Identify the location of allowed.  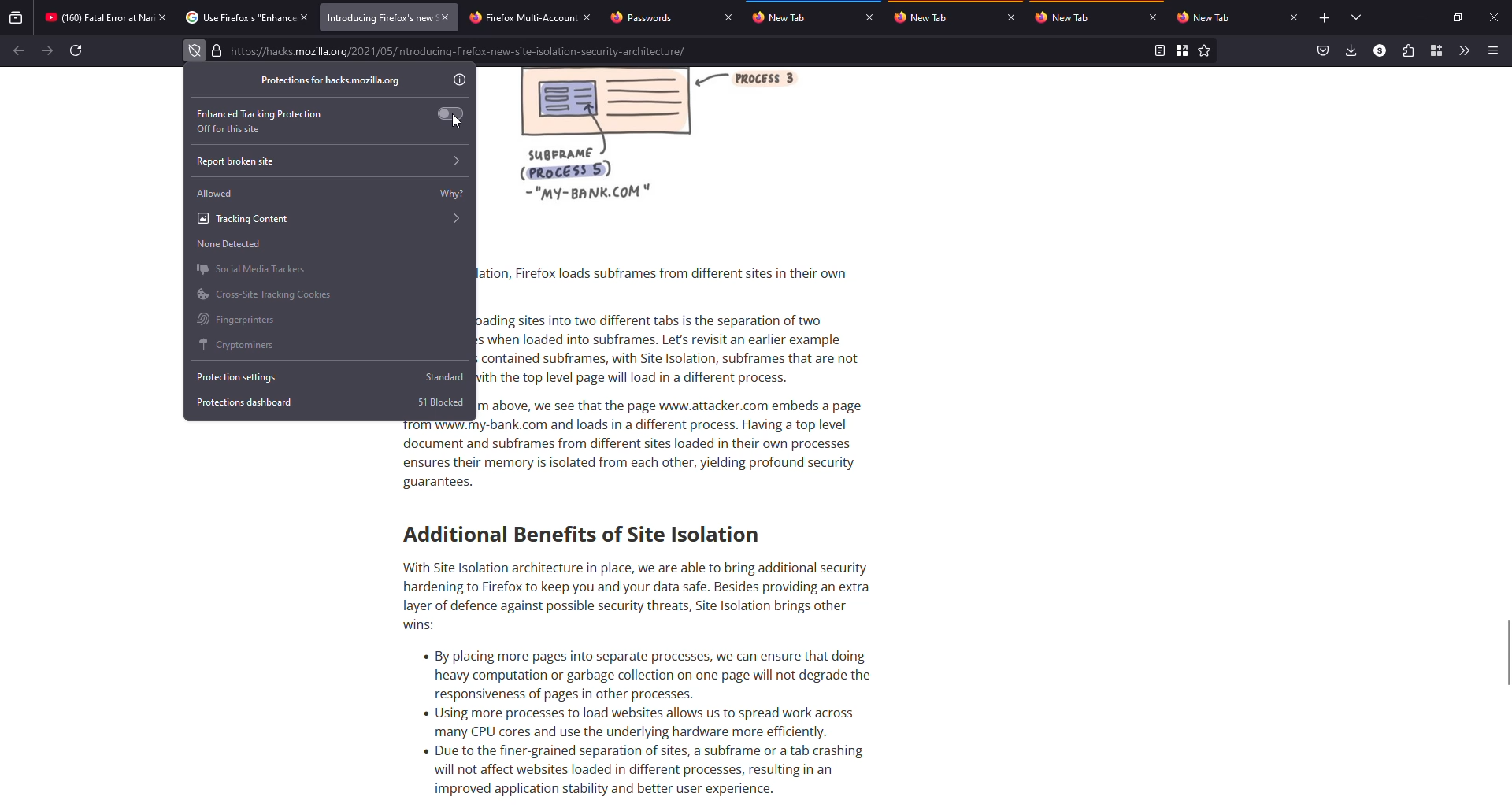
(216, 193).